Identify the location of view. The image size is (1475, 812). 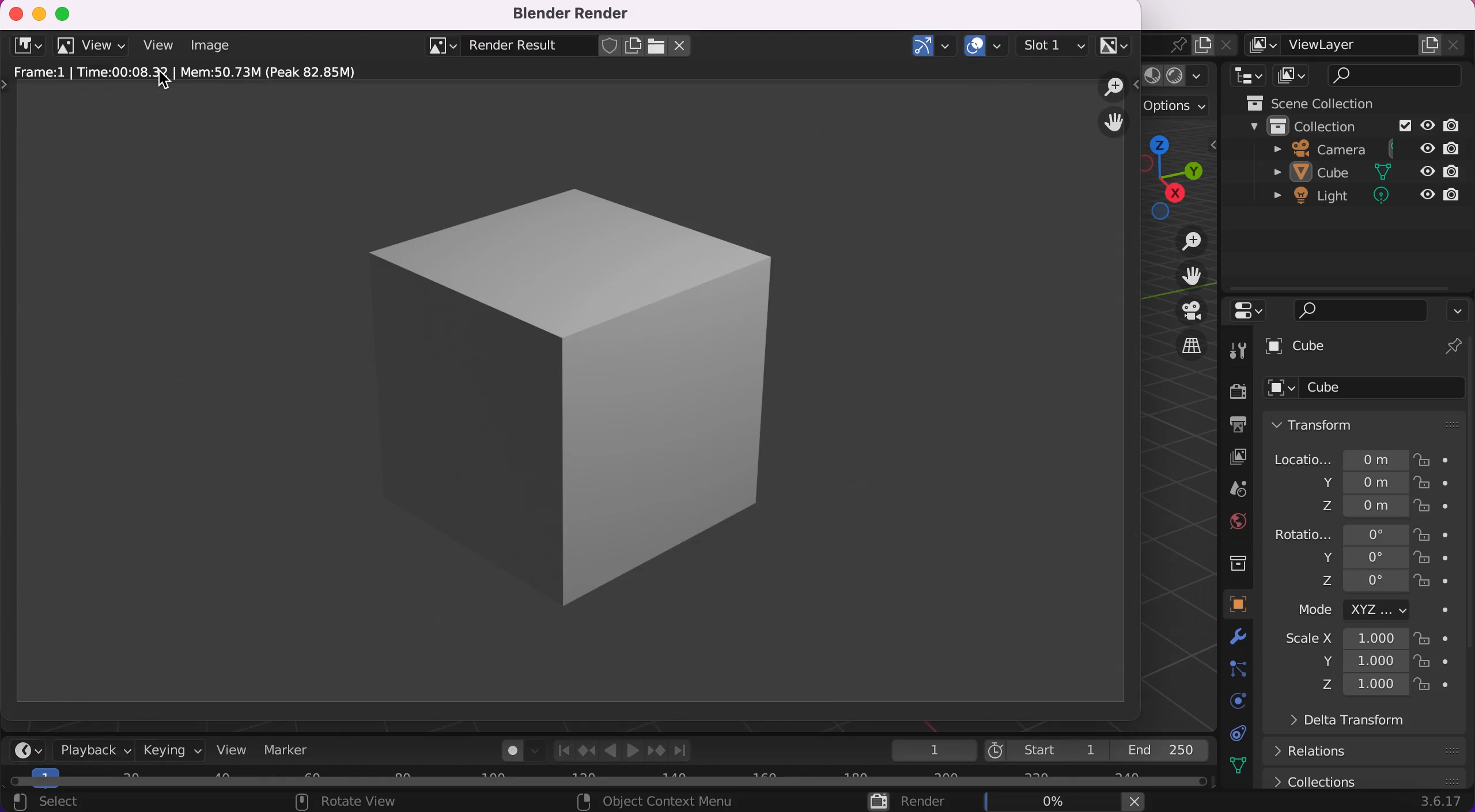
(156, 45).